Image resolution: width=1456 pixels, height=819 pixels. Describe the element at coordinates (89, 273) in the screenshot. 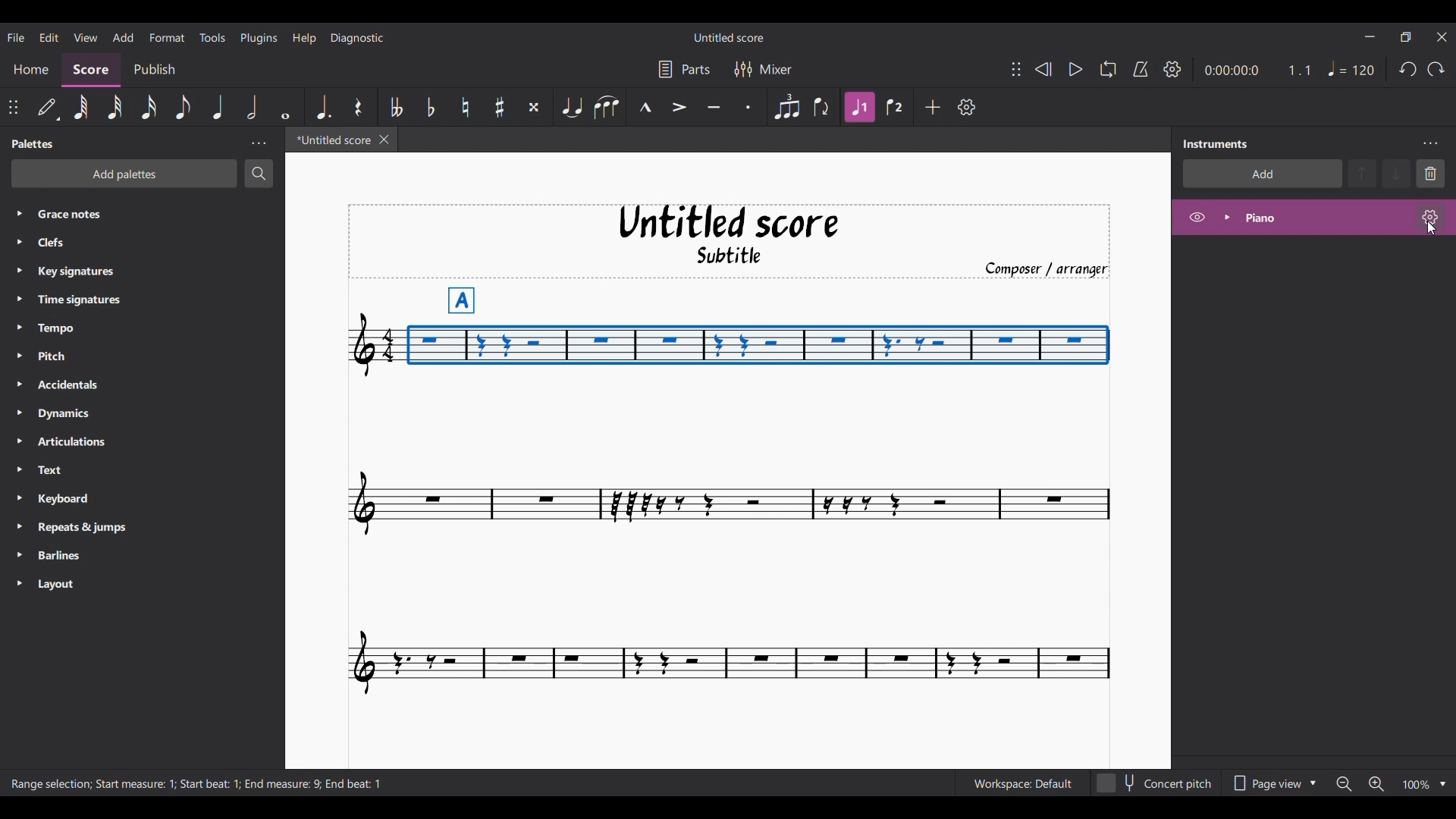

I see `Key signatures.` at that location.